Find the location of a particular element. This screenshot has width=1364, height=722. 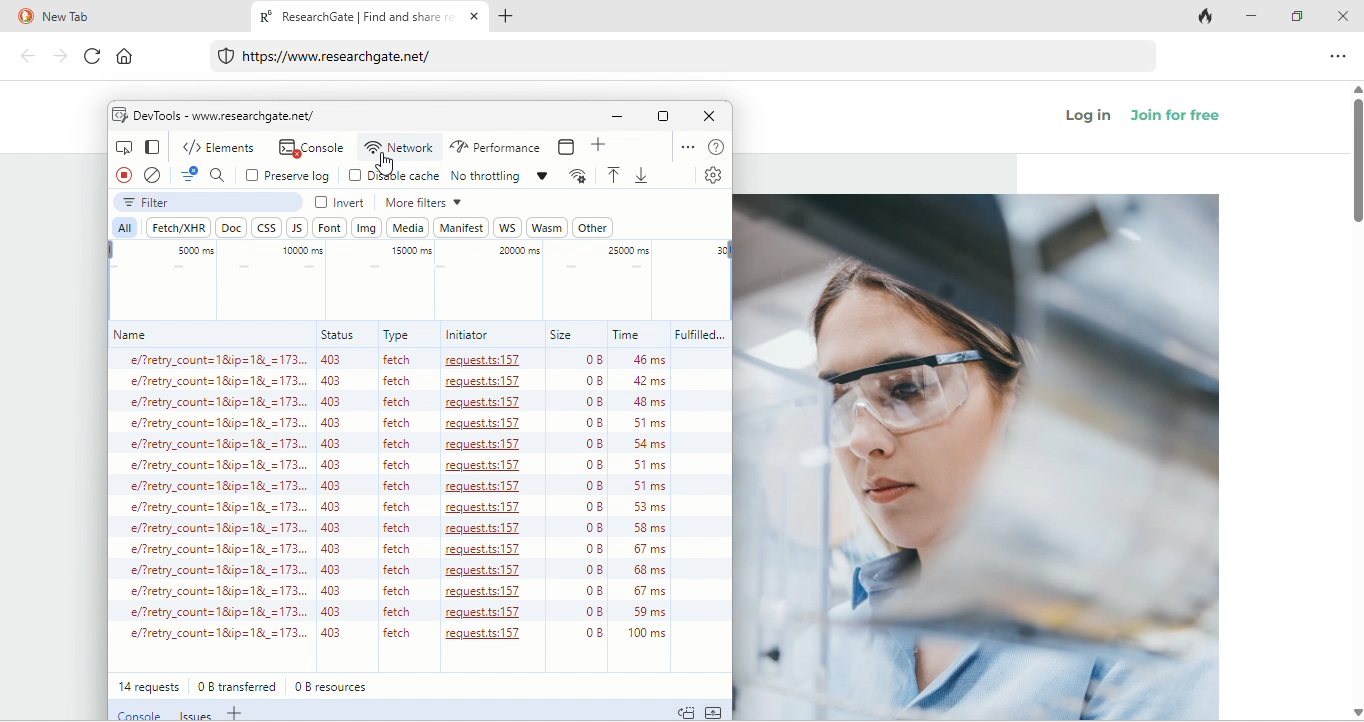

all names is located at coordinates (208, 508).